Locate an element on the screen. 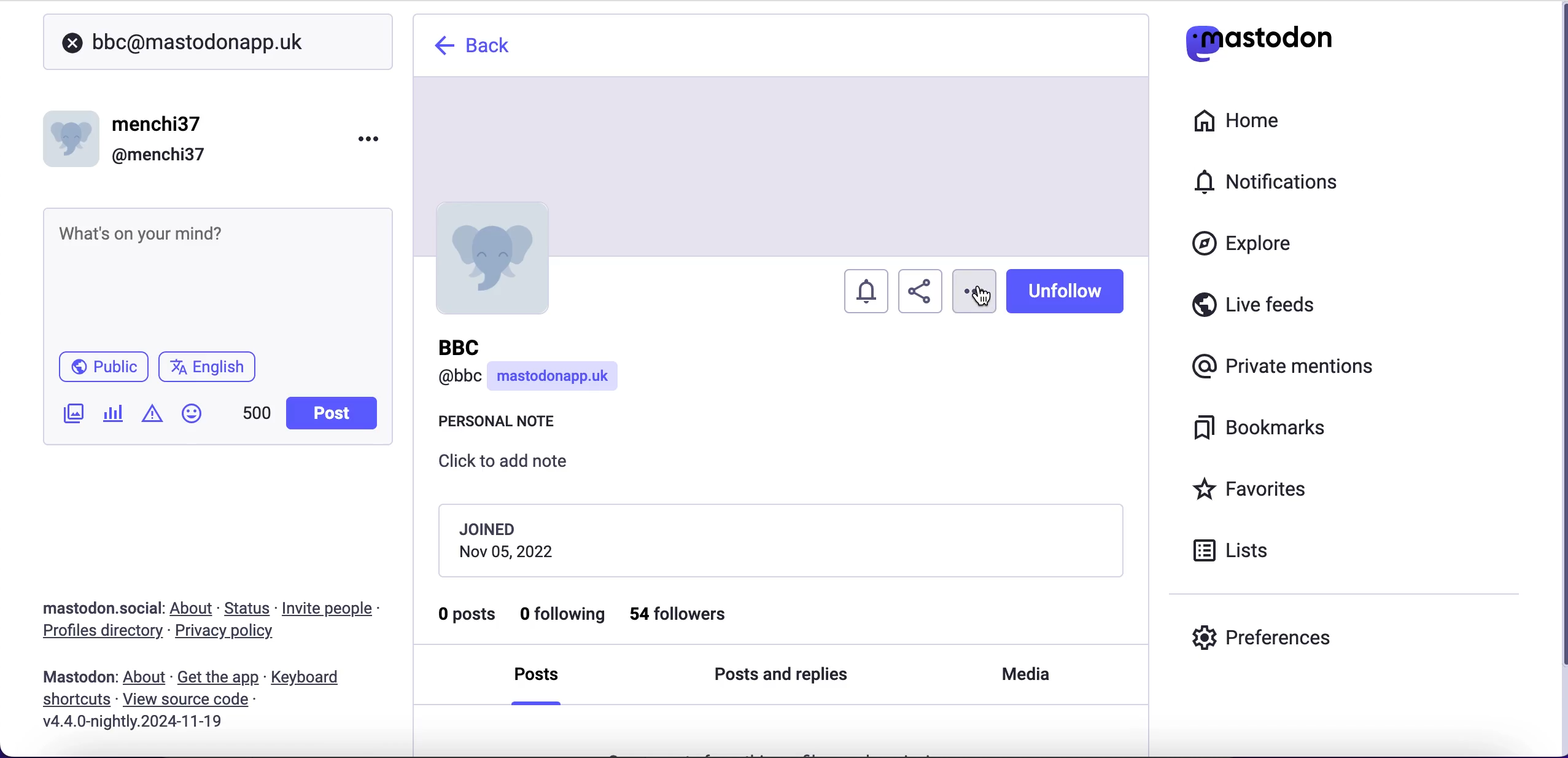 The width and height of the screenshot is (1568, 758). 2024-11-19 is located at coordinates (142, 721).